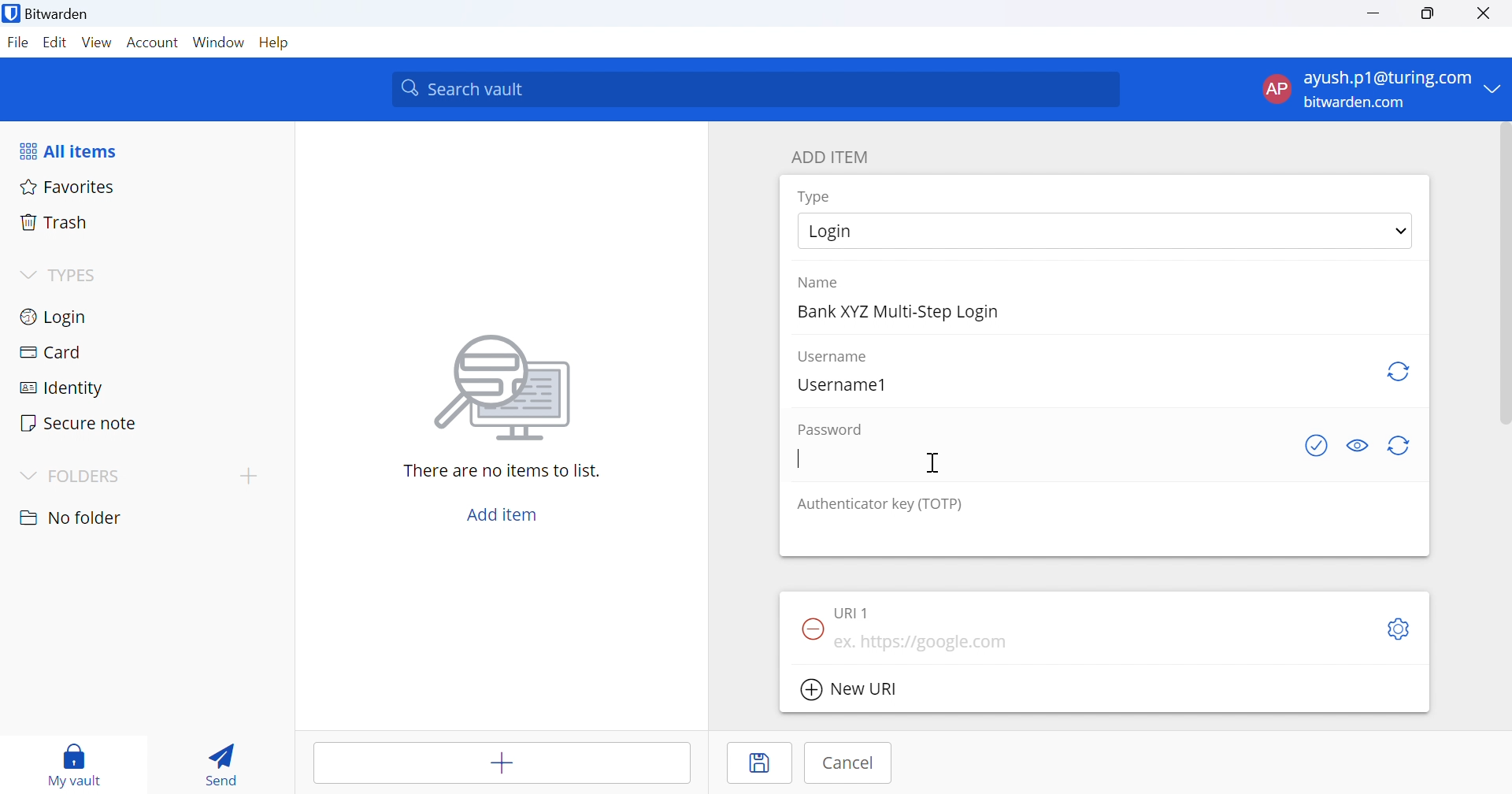 This screenshot has width=1512, height=794. Describe the element at coordinates (53, 43) in the screenshot. I see `Edit` at that location.